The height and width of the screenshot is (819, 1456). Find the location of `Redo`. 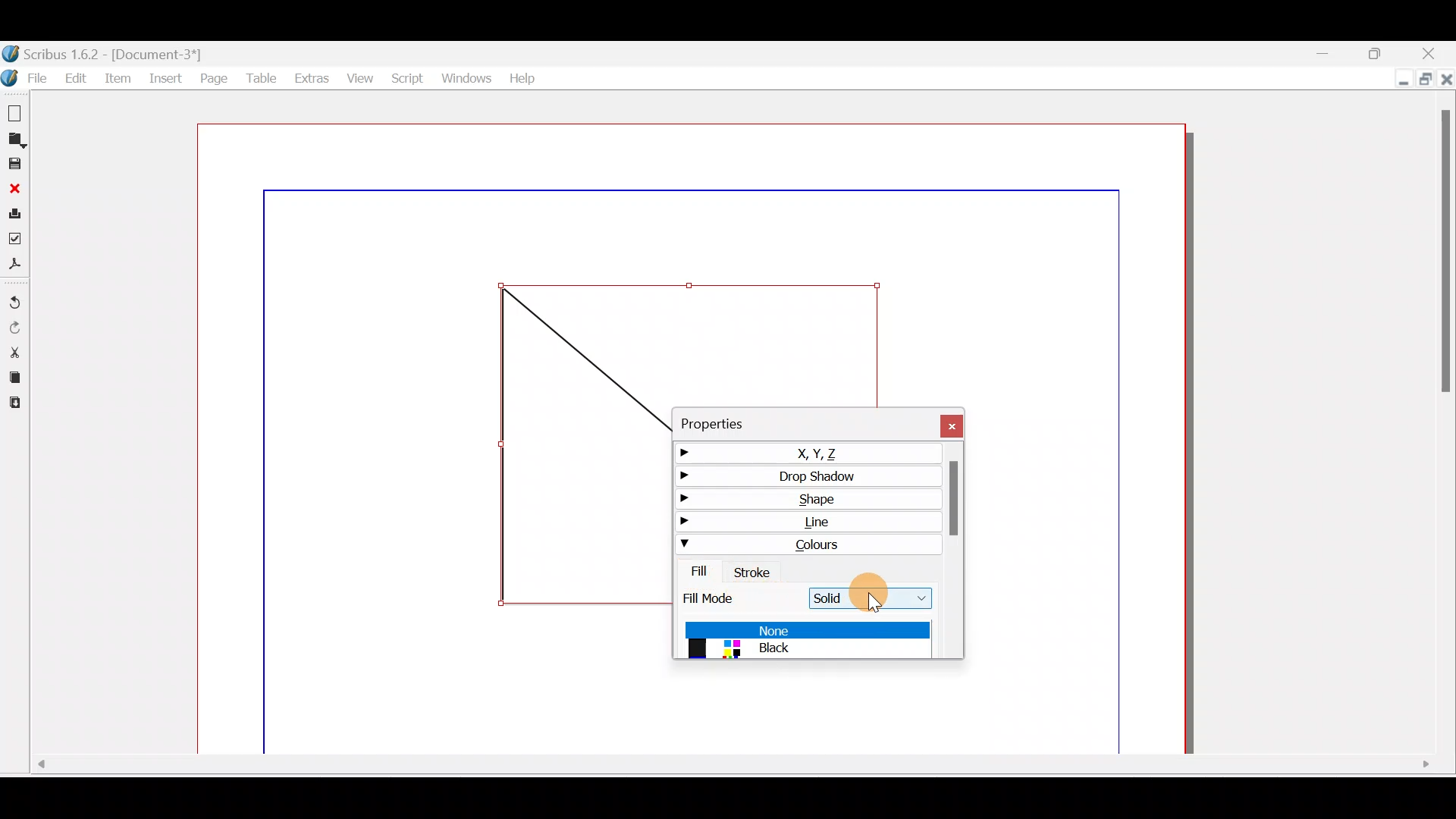

Redo is located at coordinates (17, 328).